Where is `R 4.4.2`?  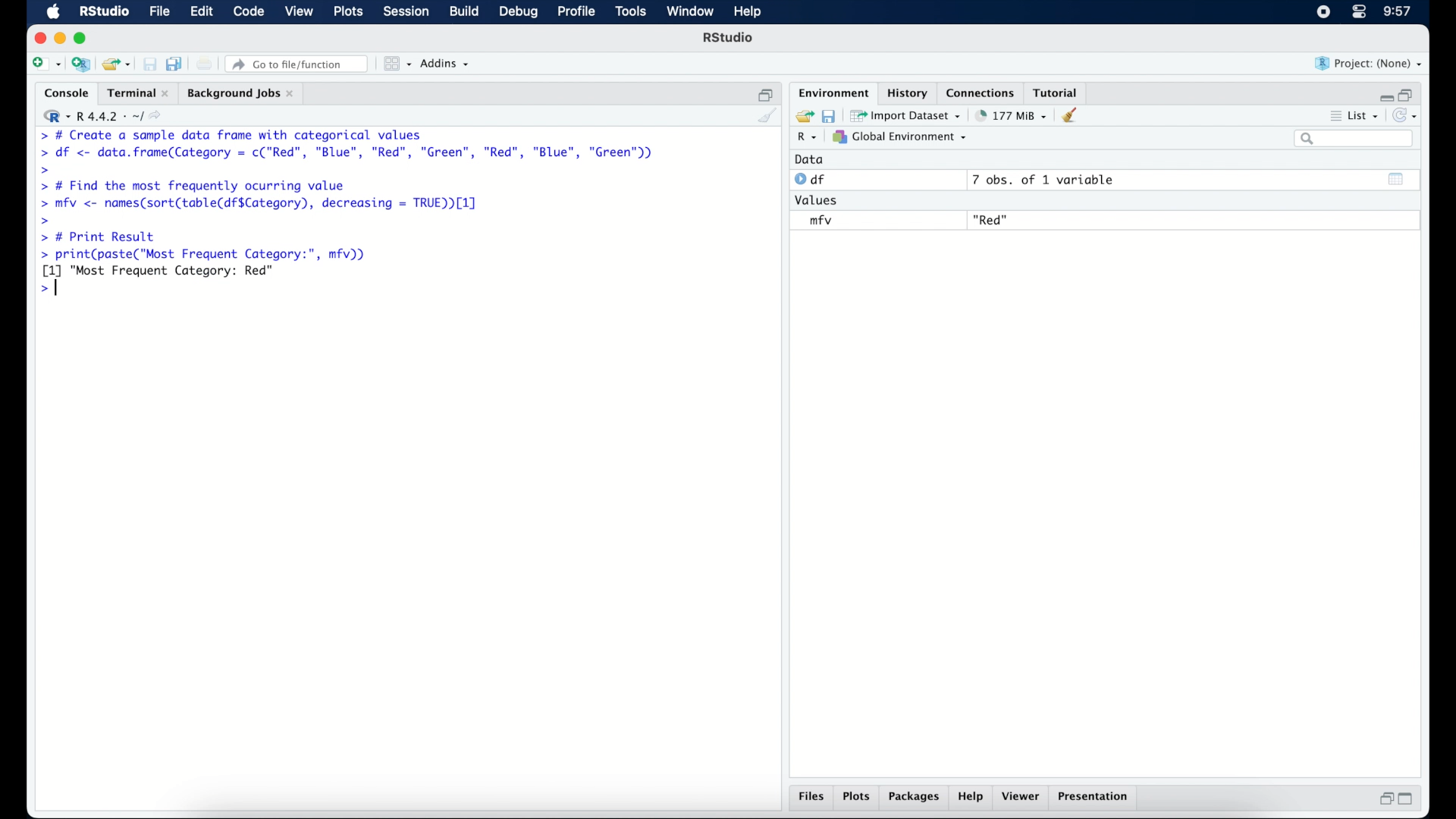 R 4.4.2 is located at coordinates (102, 114).